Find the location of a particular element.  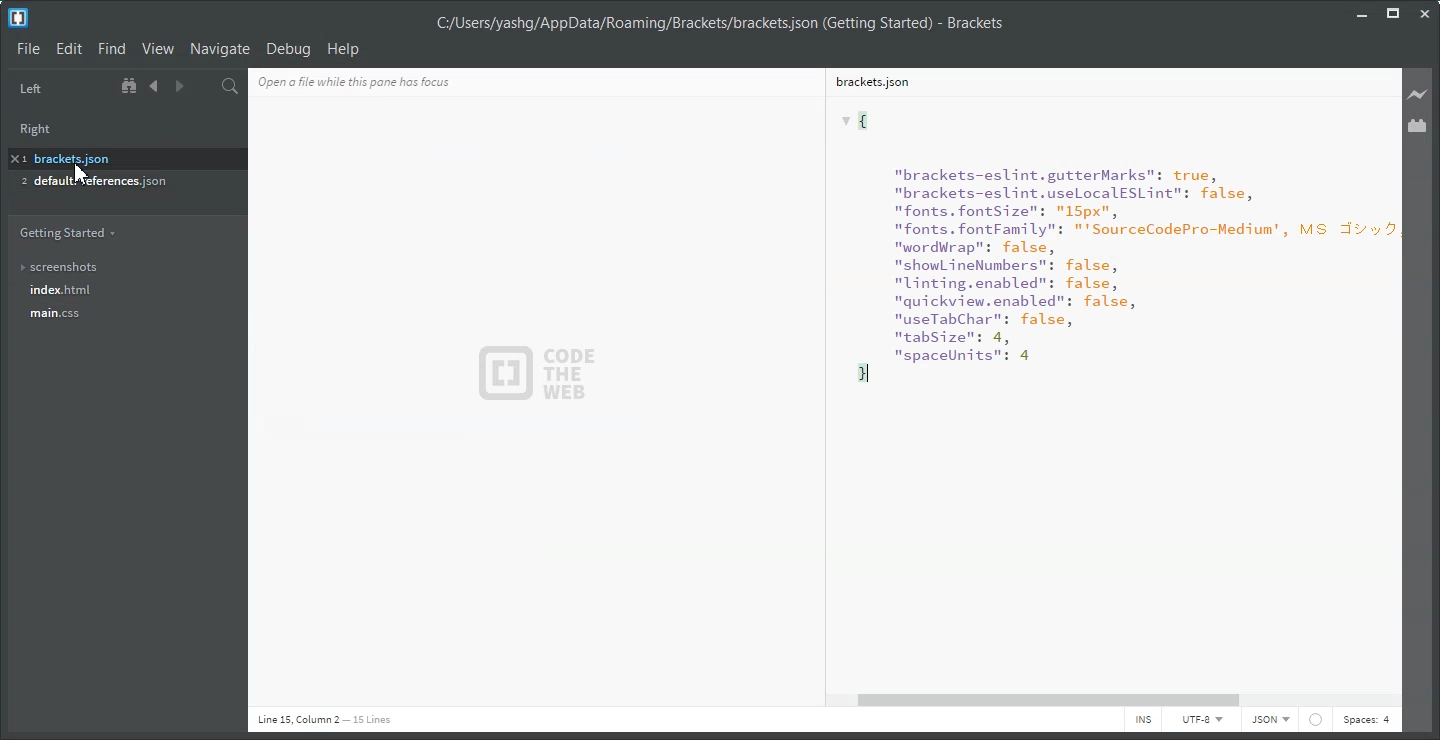

Spaces: 4 is located at coordinates (1366, 721).